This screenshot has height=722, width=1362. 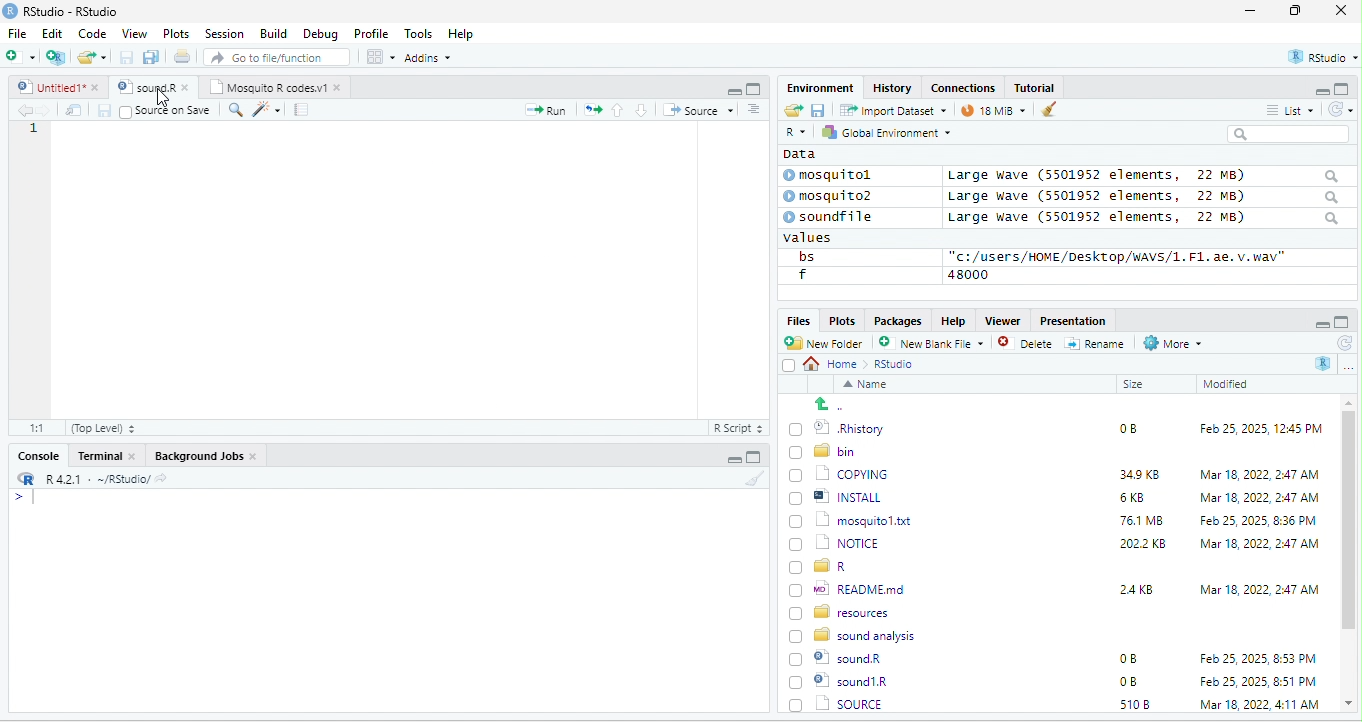 I want to click on Files, so click(x=795, y=320).